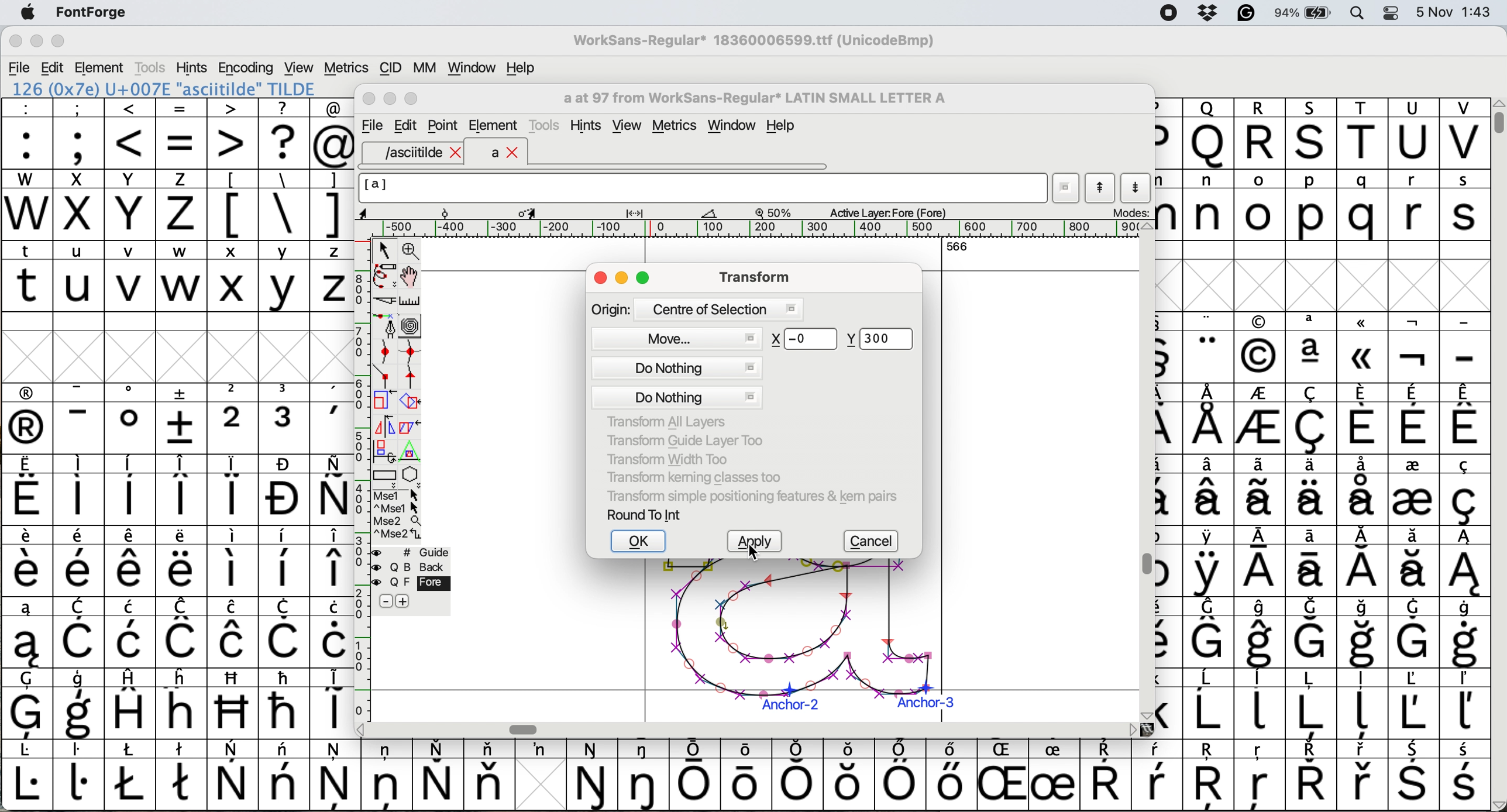 The height and width of the screenshot is (812, 1507). Describe the element at coordinates (404, 601) in the screenshot. I see `add` at that location.